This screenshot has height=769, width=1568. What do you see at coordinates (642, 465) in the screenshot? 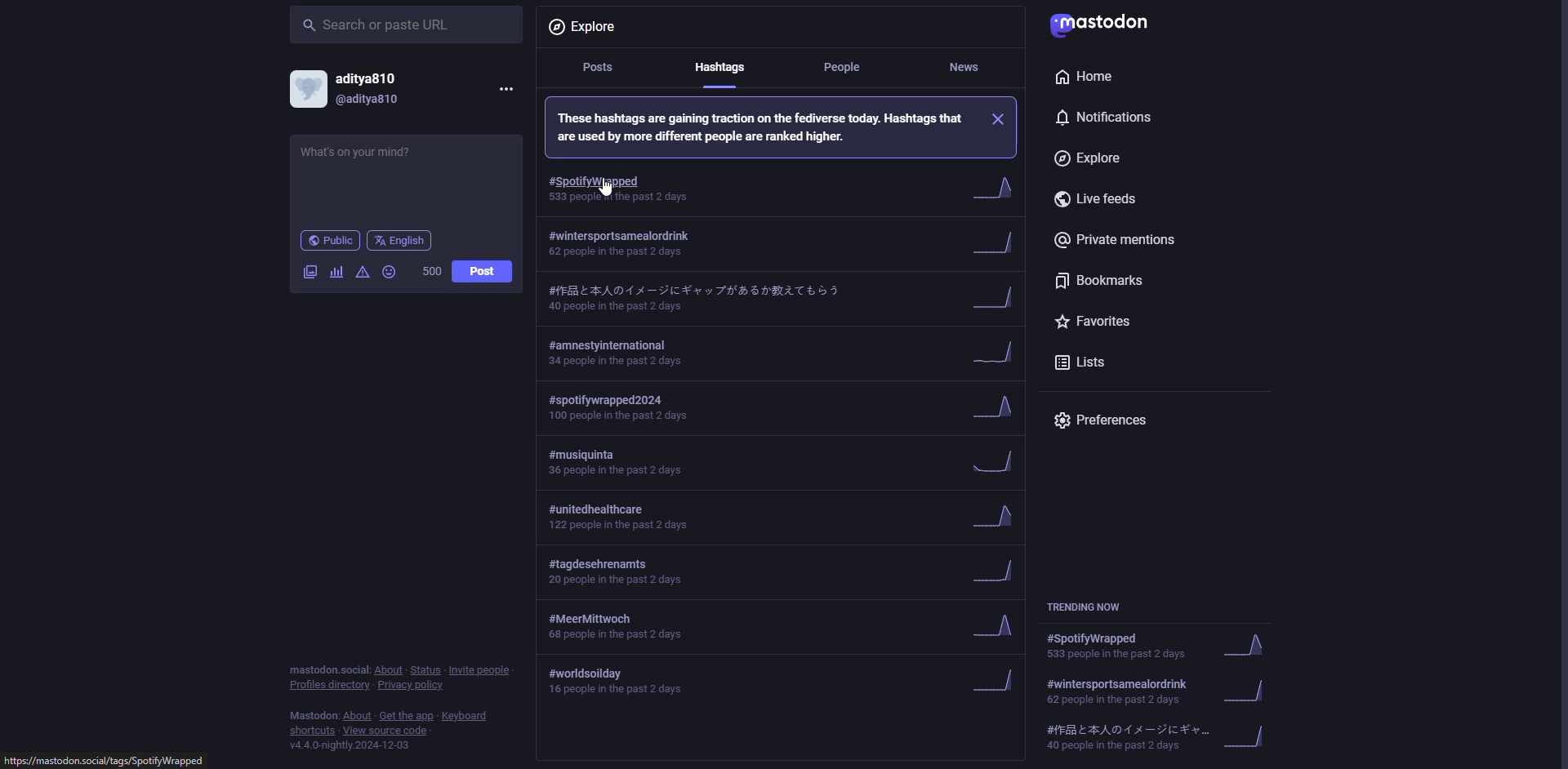
I see `hashtag` at bounding box center [642, 465].